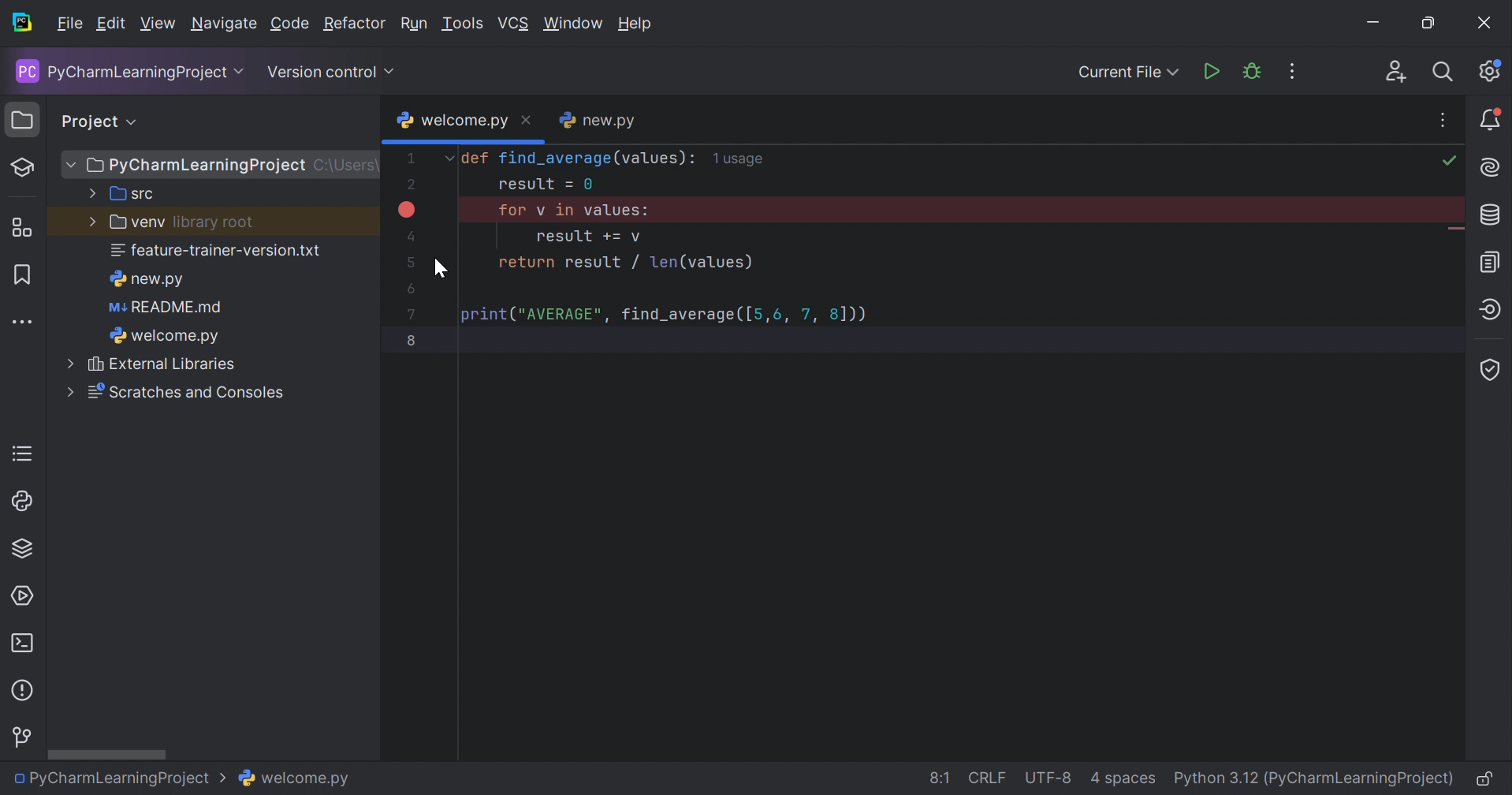  Describe the element at coordinates (70, 24) in the screenshot. I see `File` at that location.